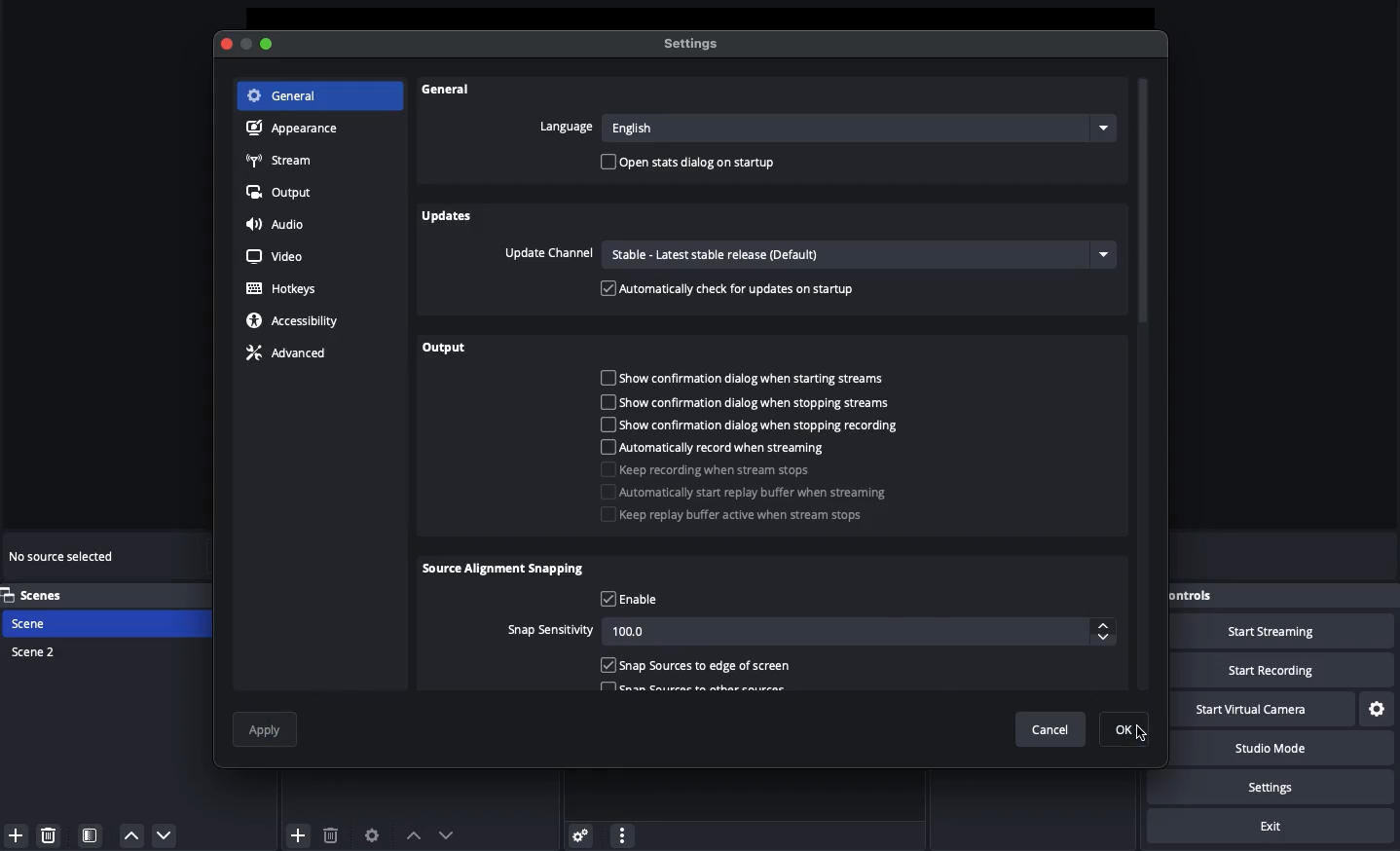 This screenshot has height=851, width=1400. Describe the element at coordinates (1197, 593) in the screenshot. I see `Controls` at that location.